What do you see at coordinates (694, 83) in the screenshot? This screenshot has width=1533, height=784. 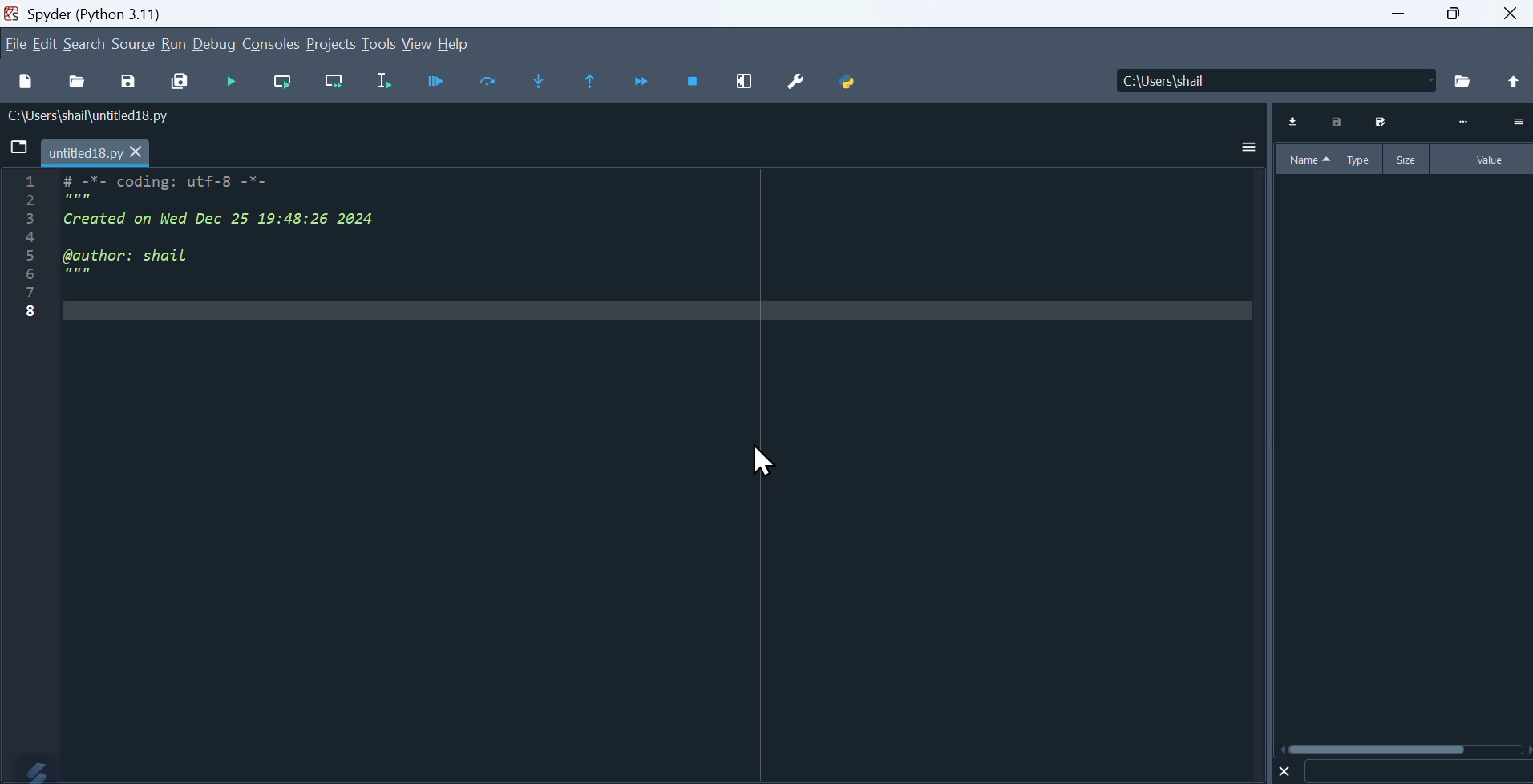 I see `Stop debugging` at bounding box center [694, 83].